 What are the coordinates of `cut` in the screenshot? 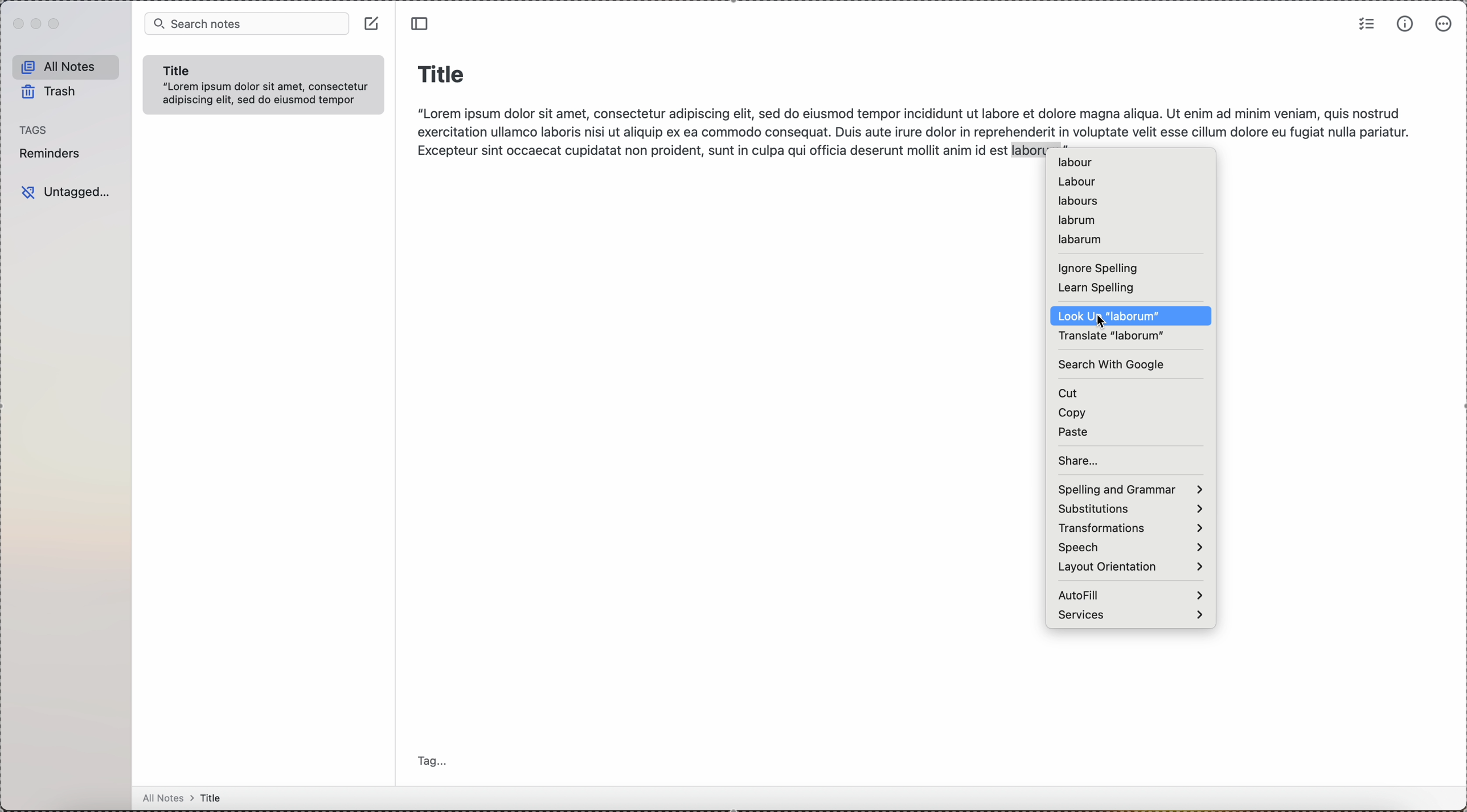 It's located at (1068, 392).